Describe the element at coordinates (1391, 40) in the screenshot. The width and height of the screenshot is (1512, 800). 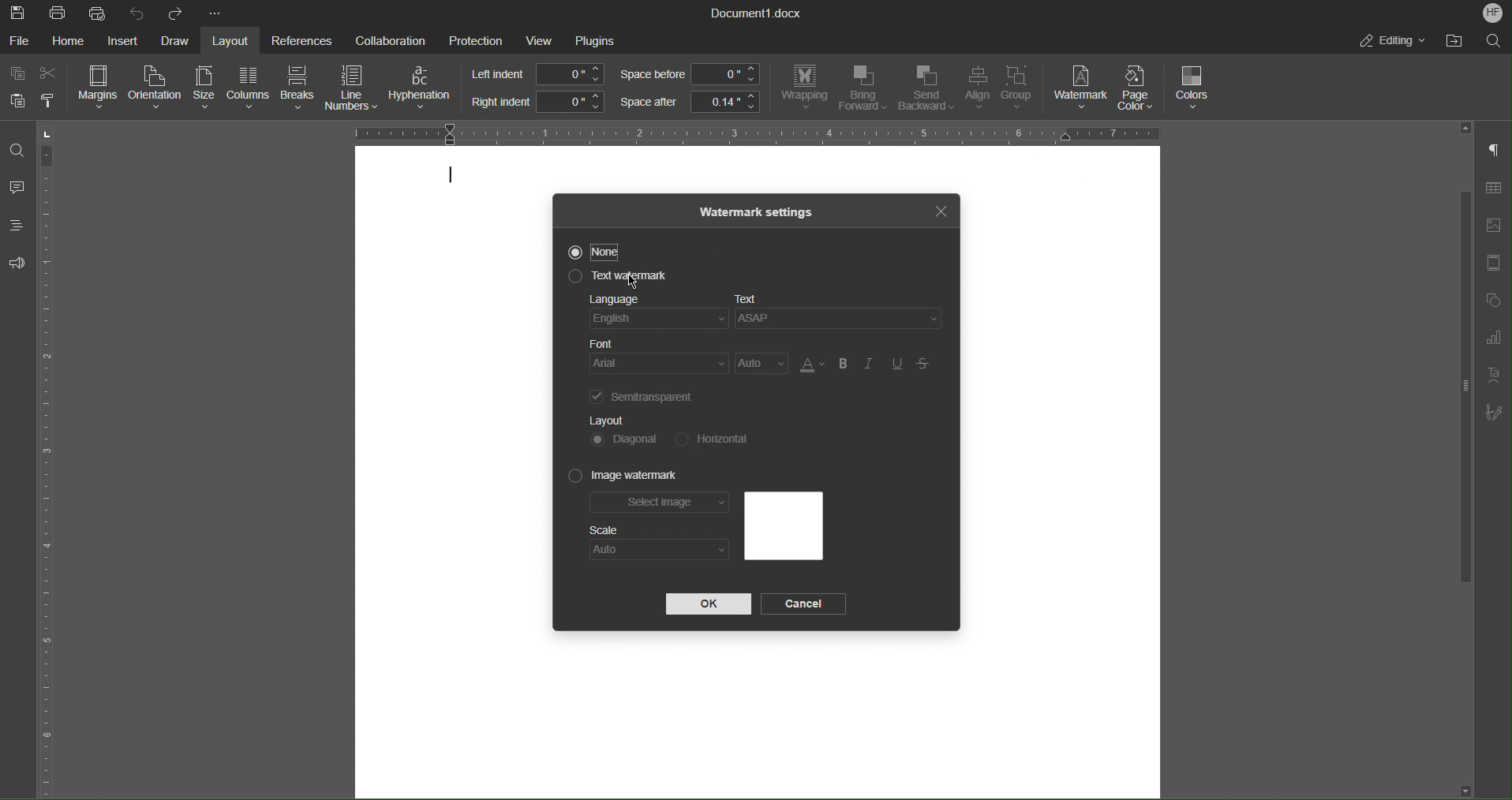
I see `Editing` at that location.